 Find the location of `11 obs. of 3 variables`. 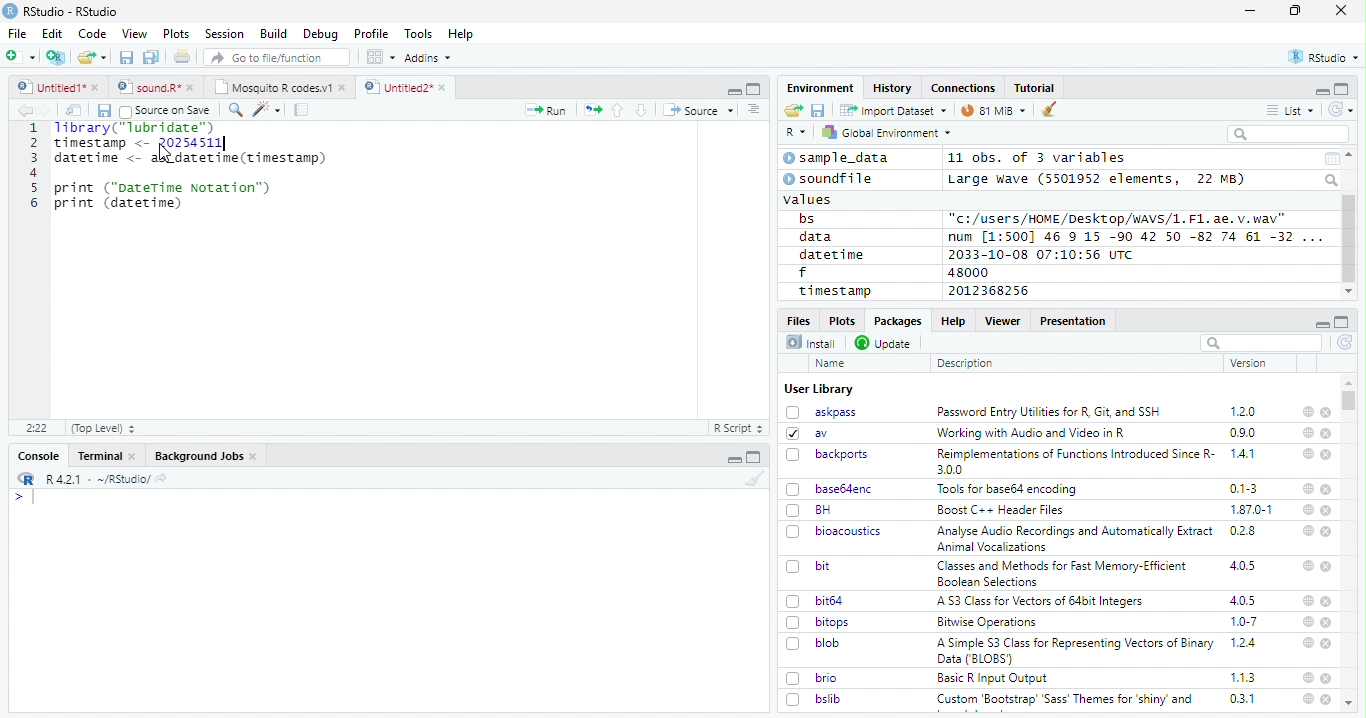

11 obs. of 3 variables is located at coordinates (1038, 159).